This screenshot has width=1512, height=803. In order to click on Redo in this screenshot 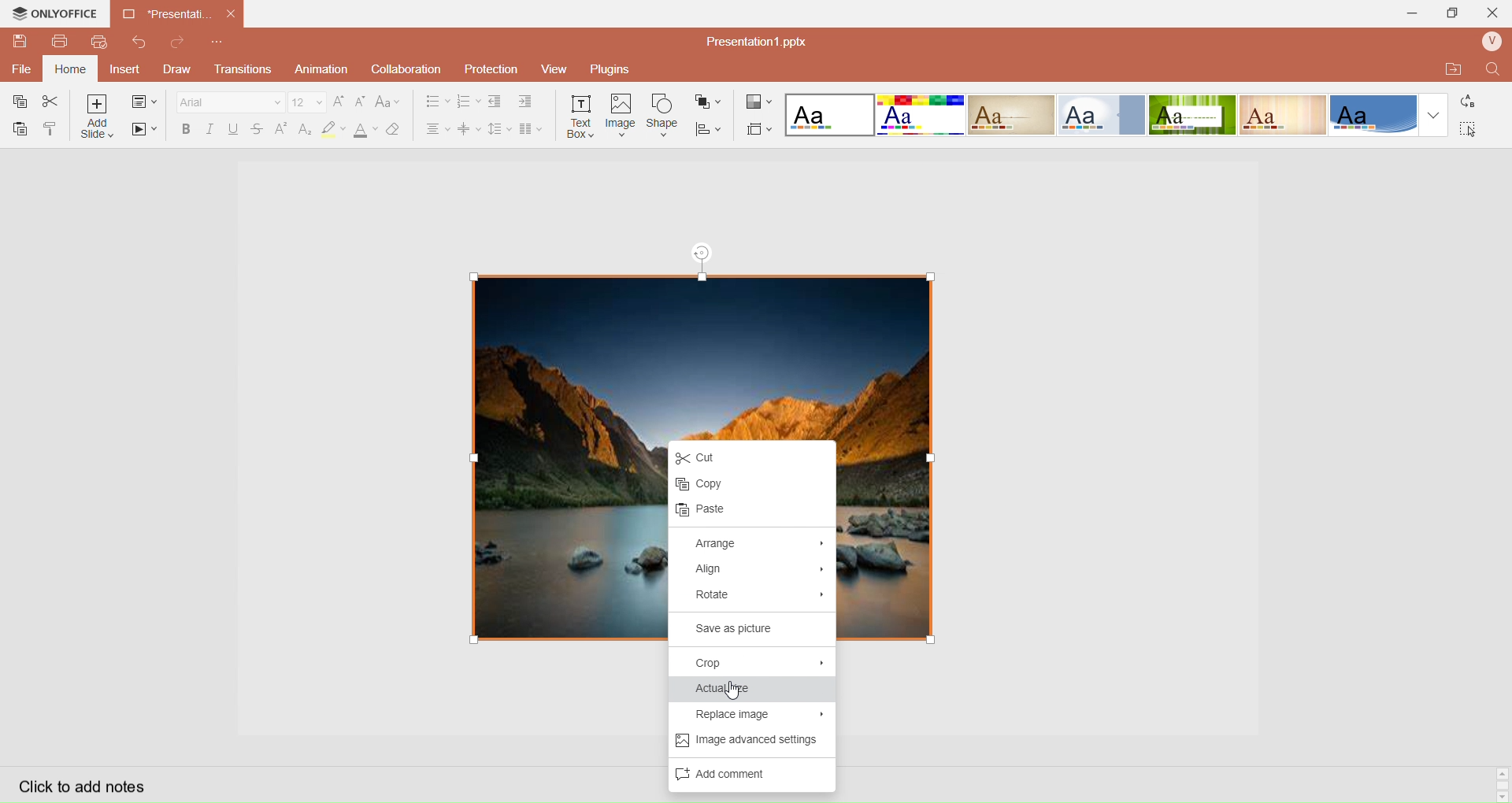, I will do `click(140, 43)`.